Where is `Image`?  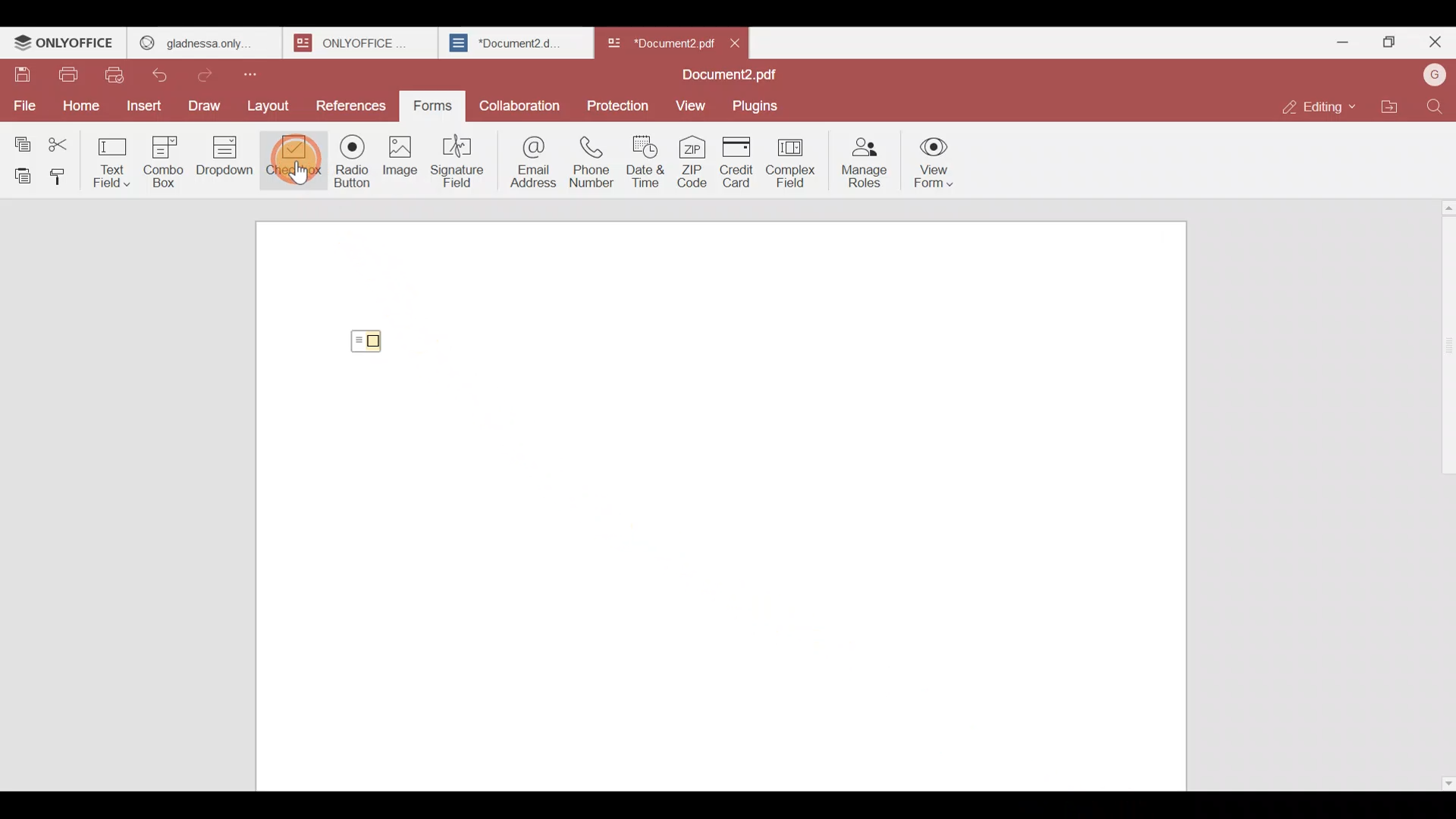
Image is located at coordinates (402, 167).